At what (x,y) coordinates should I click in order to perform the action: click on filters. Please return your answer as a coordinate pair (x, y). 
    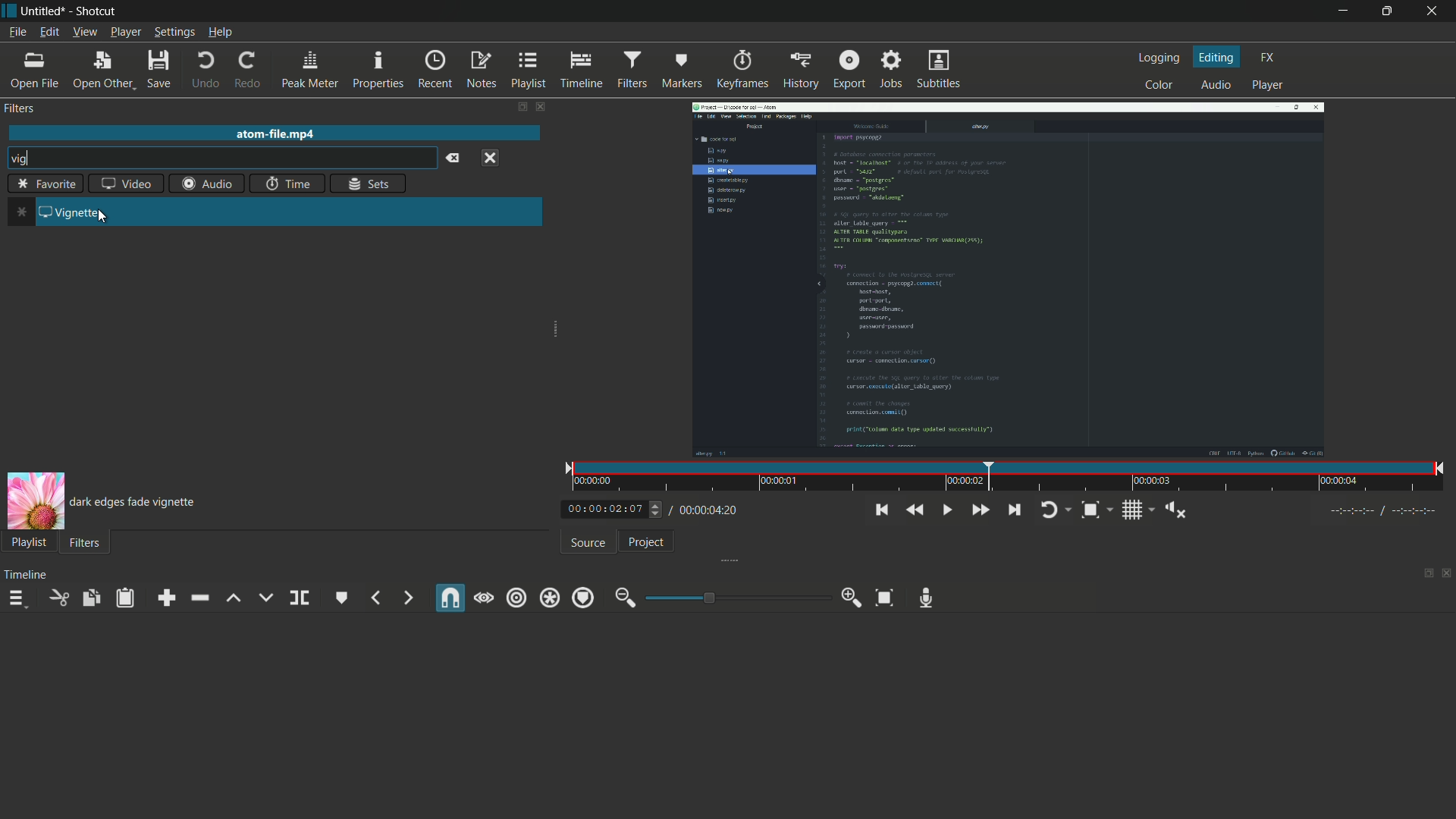
    Looking at the image, I should click on (632, 71).